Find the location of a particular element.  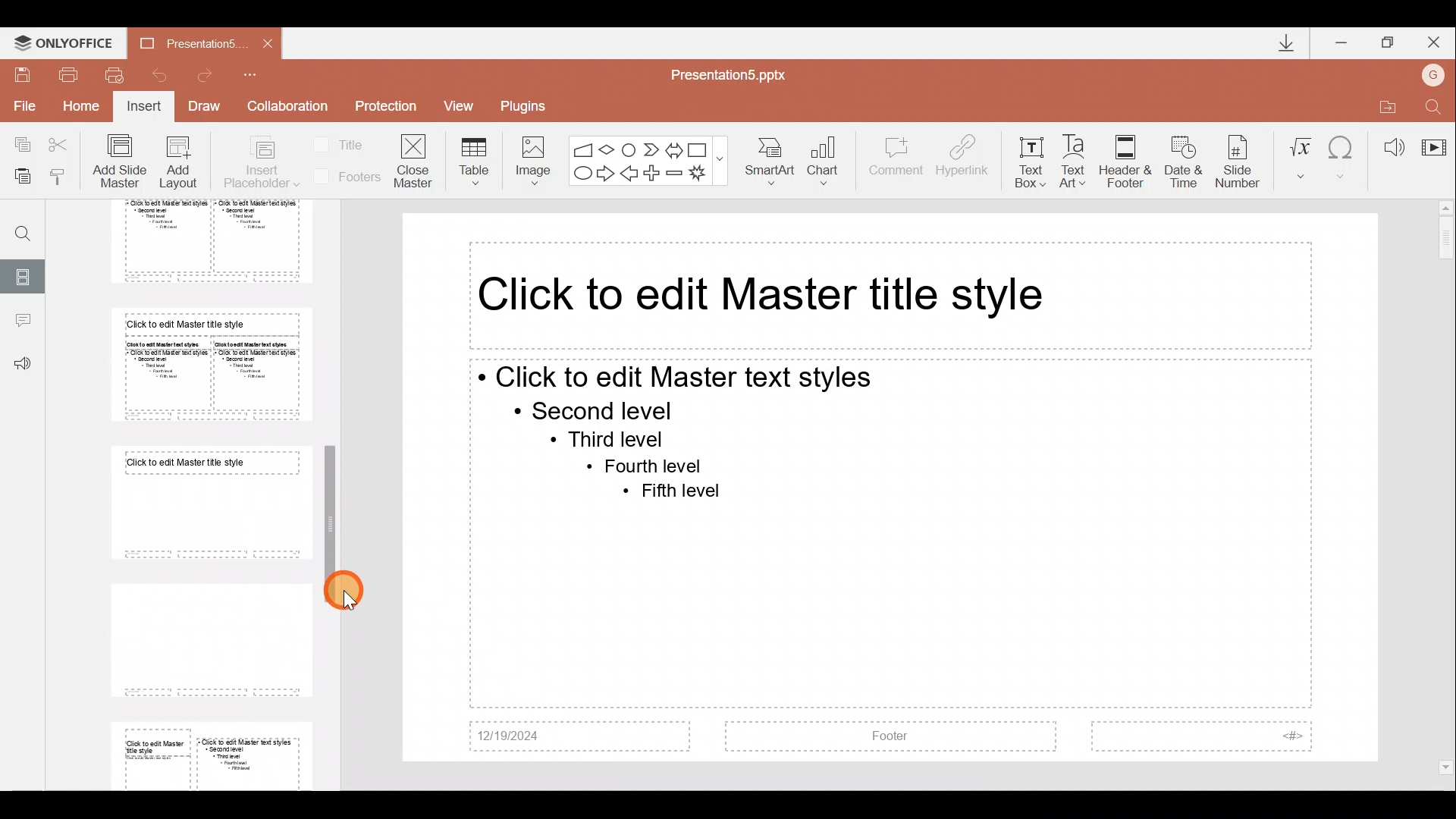

Minus is located at coordinates (675, 173).